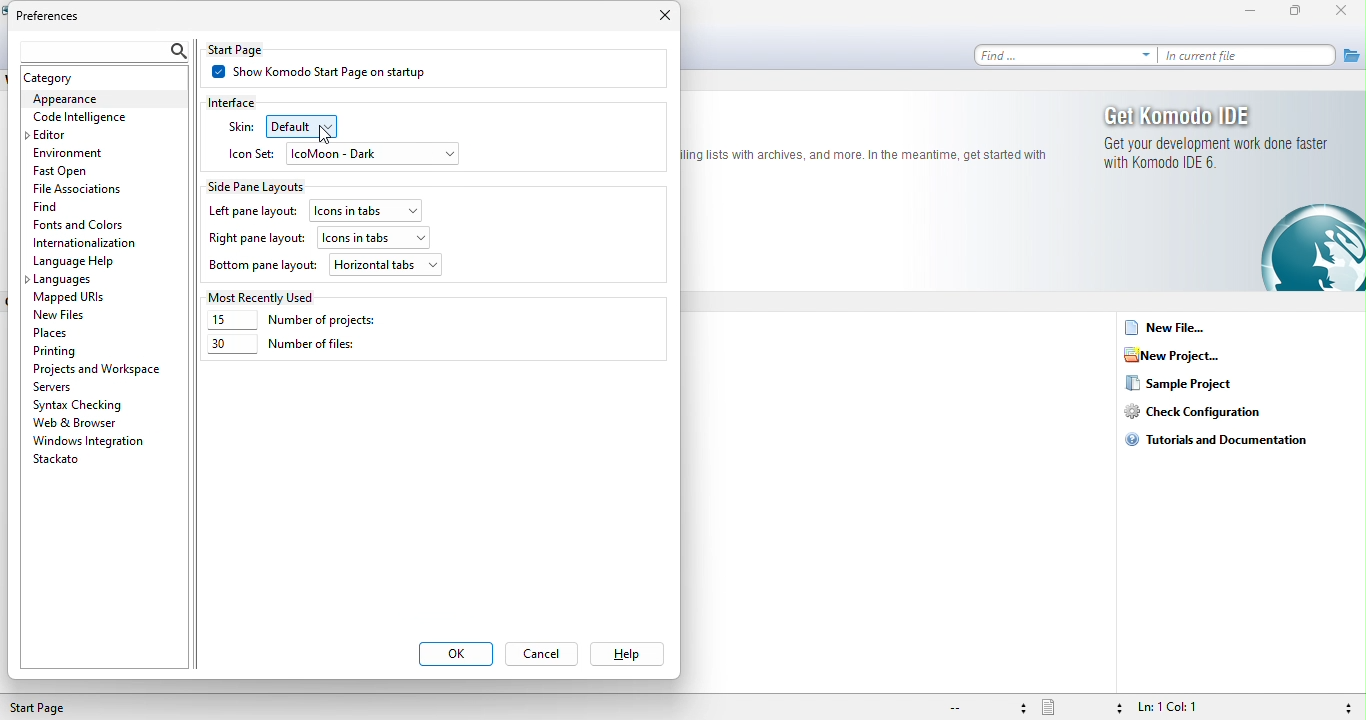 The height and width of the screenshot is (720, 1366). Describe the element at coordinates (1220, 115) in the screenshot. I see `get komodo ide` at that location.